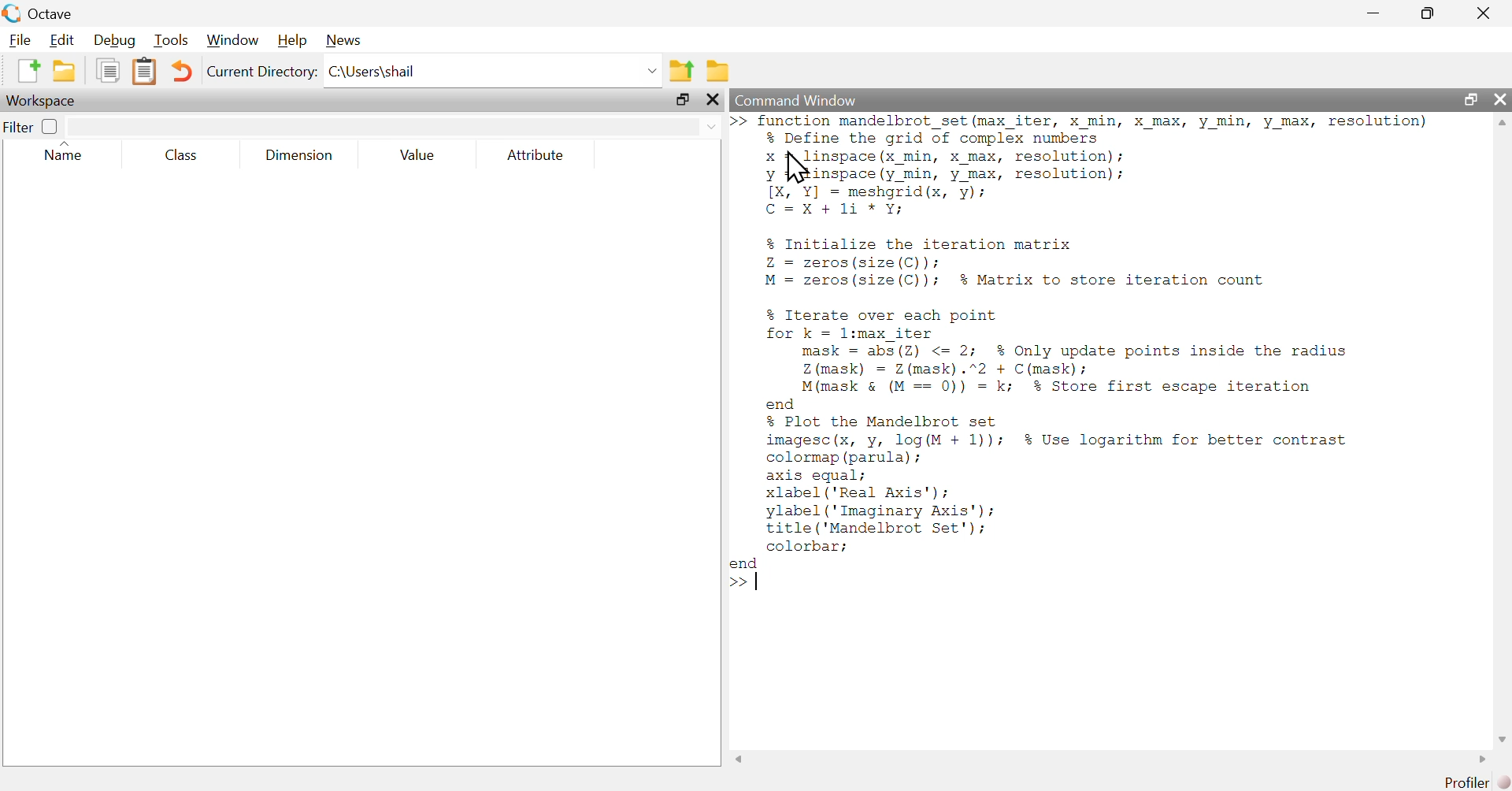 The image size is (1512, 791). What do you see at coordinates (1463, 782) in the screenshot?
I see `Profiler` at bounding box center [1463, 782].